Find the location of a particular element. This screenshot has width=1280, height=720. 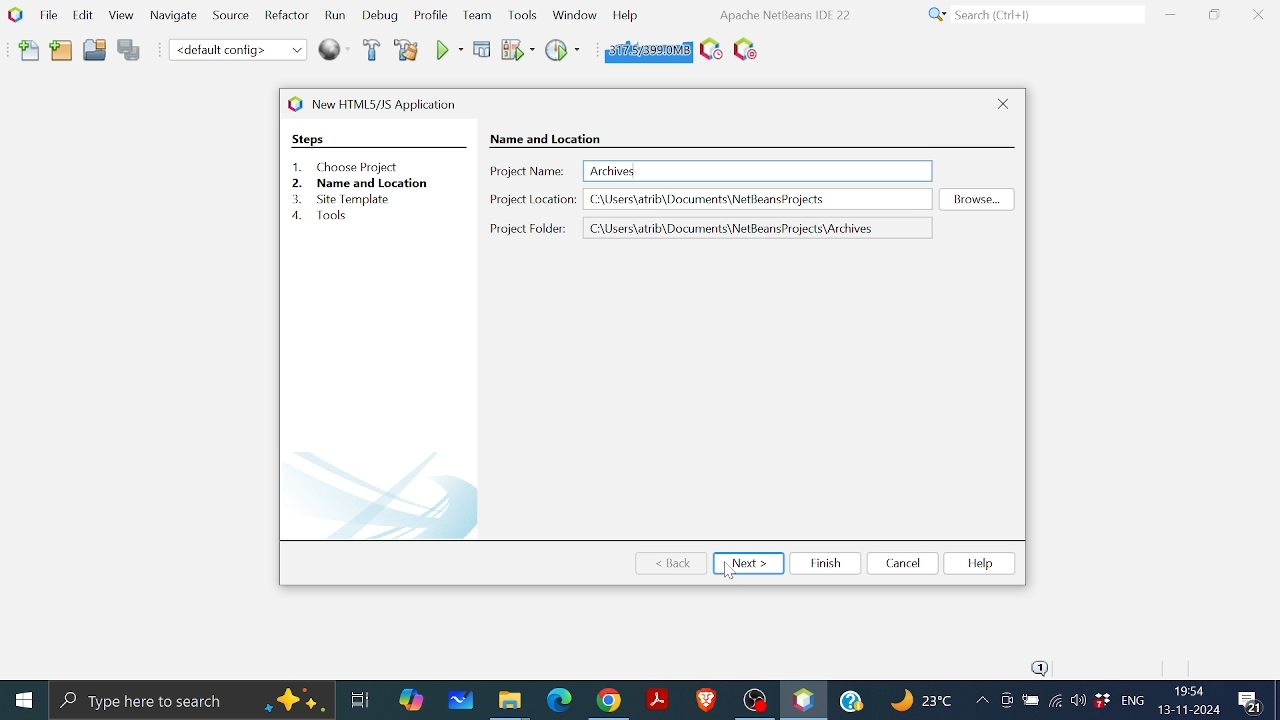

File is located at coordinates (46, 15).